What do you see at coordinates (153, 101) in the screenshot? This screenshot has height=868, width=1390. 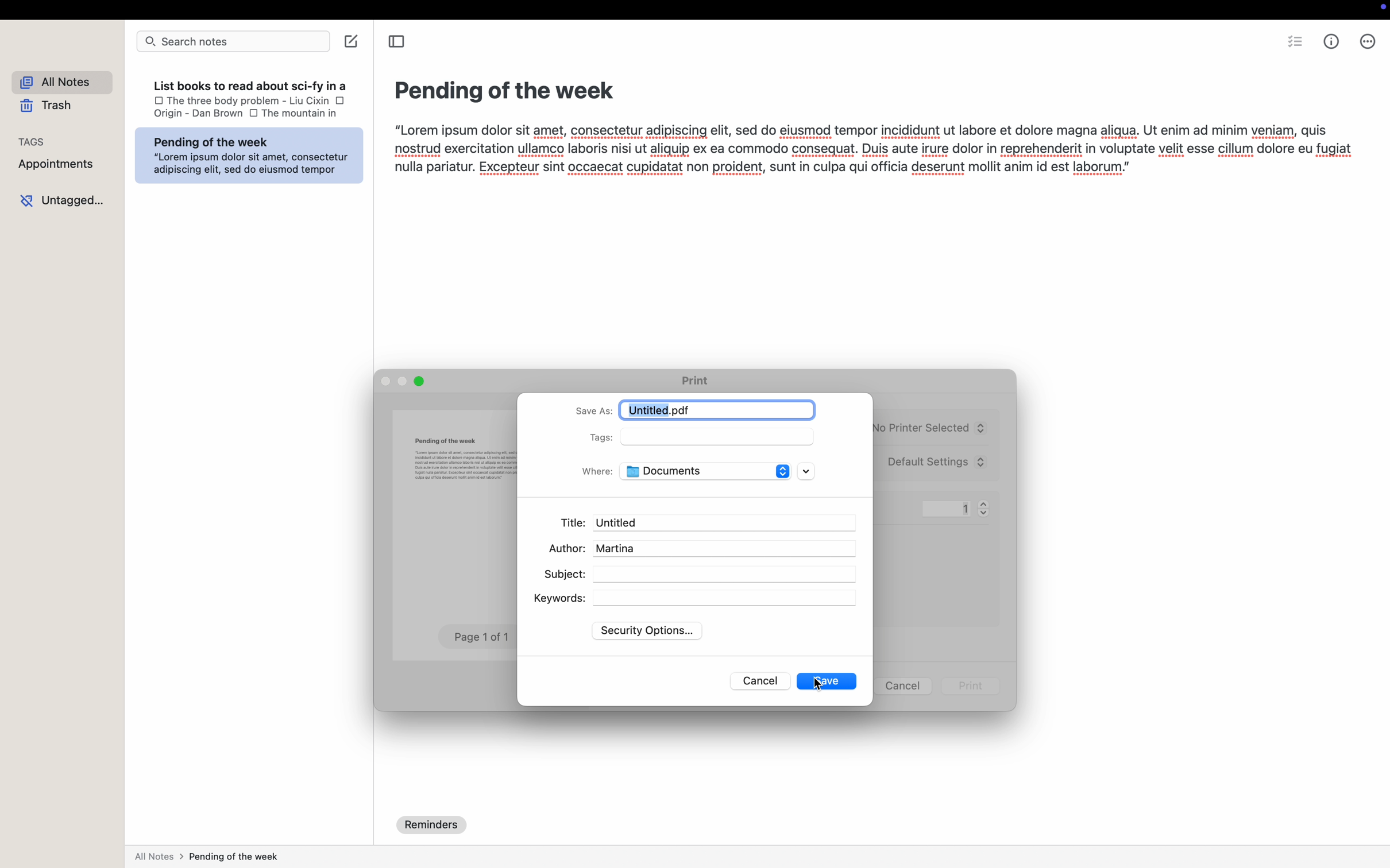 I see `checkbox` at bounding box center [153, 101].